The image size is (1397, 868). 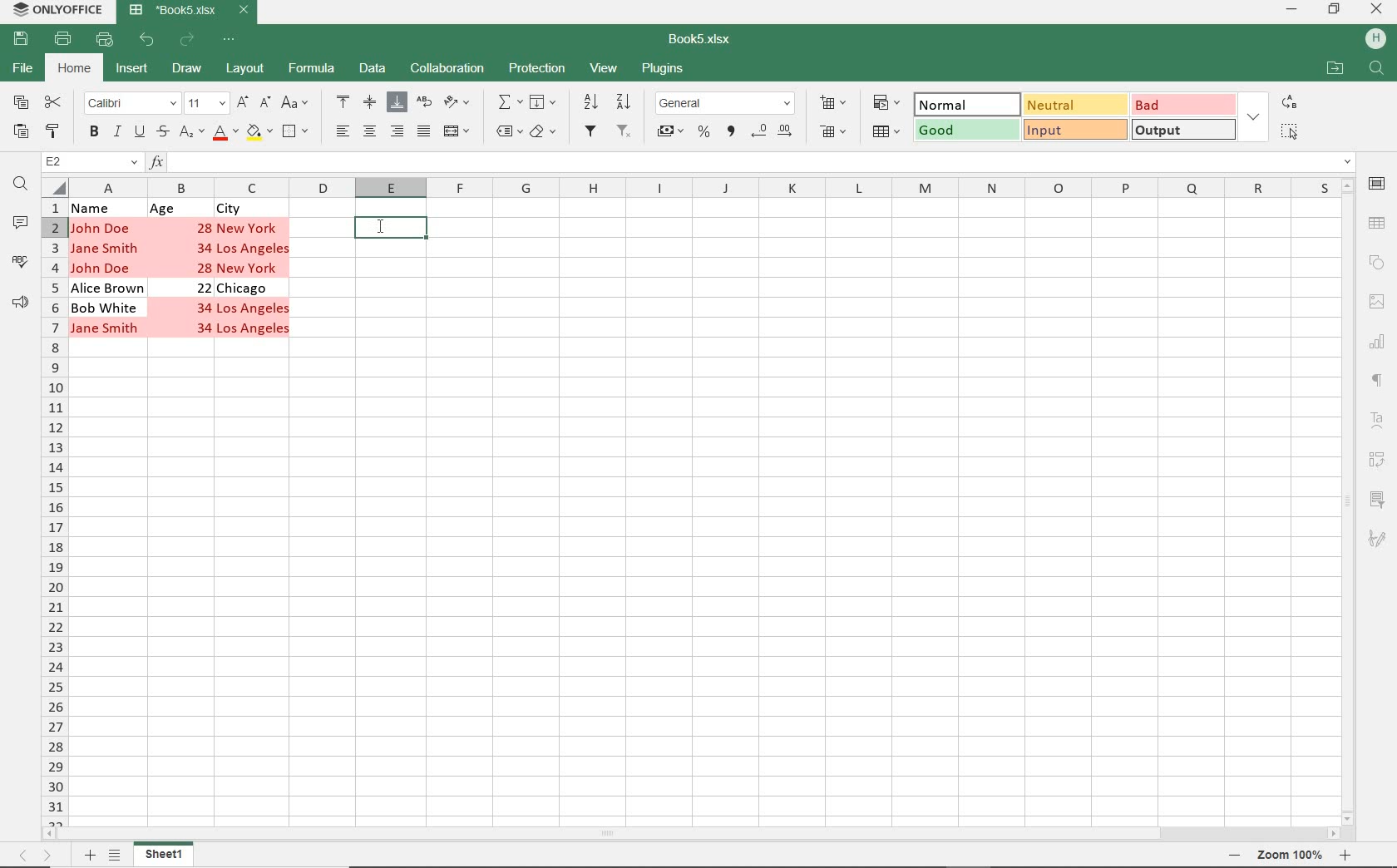 I want to click on 34, so click(x=205, y=332).